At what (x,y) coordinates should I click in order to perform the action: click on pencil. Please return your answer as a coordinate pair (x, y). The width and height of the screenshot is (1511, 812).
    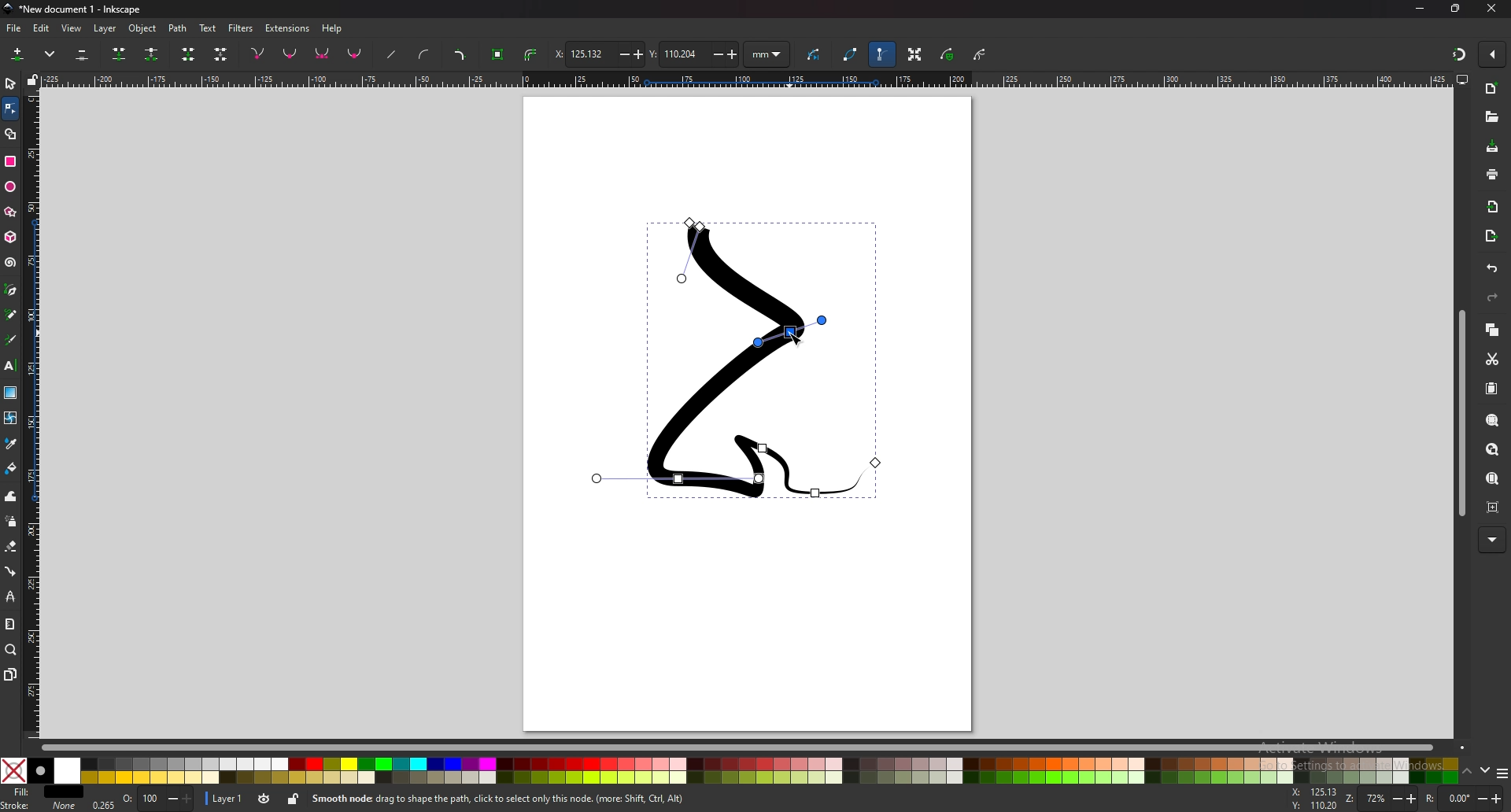
    Looking at the image, I should click on (11, 316).